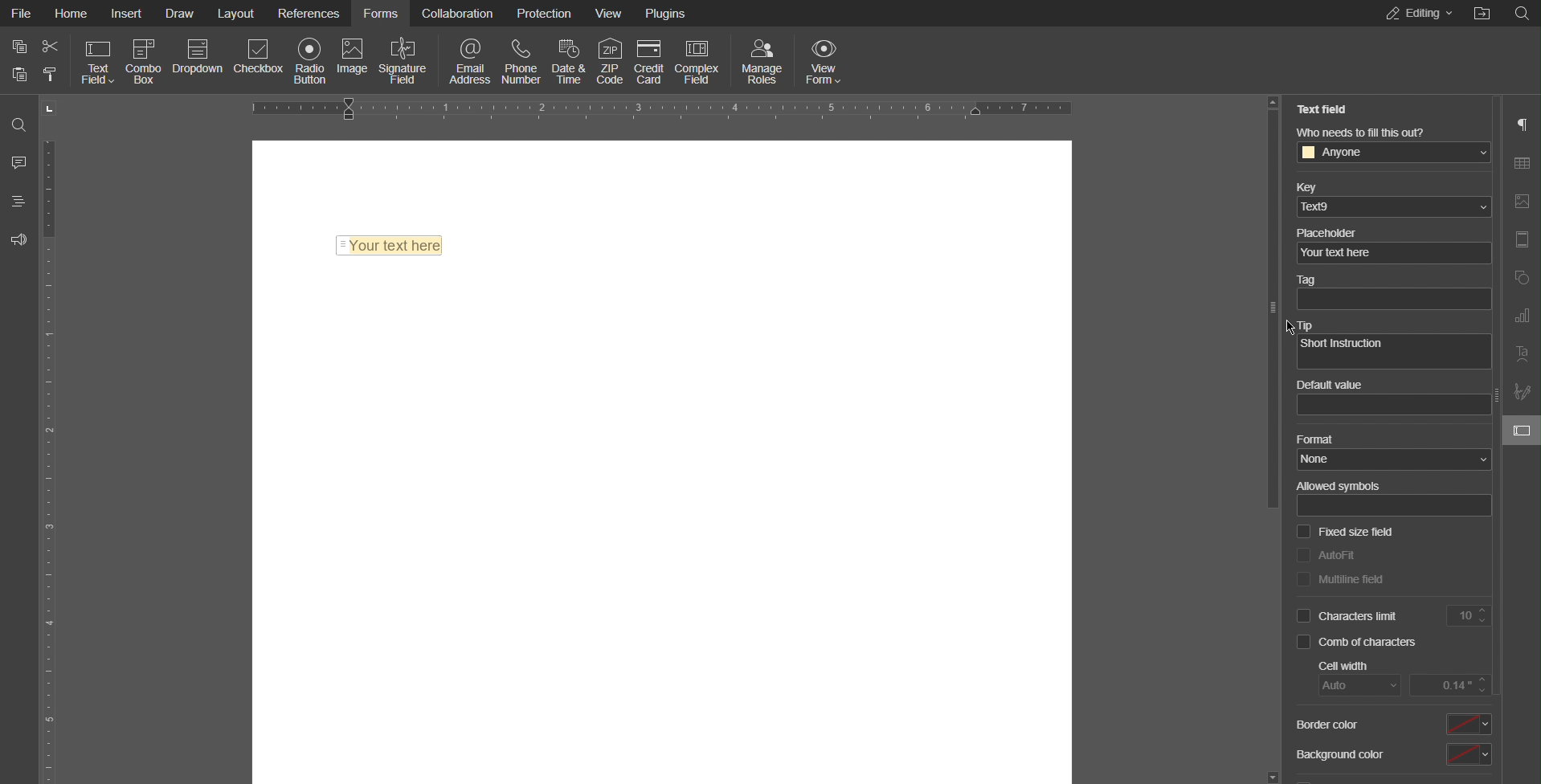  Describe the element at coordinates (311, 60) in the screenshot. I see `Radio Button` at that location.